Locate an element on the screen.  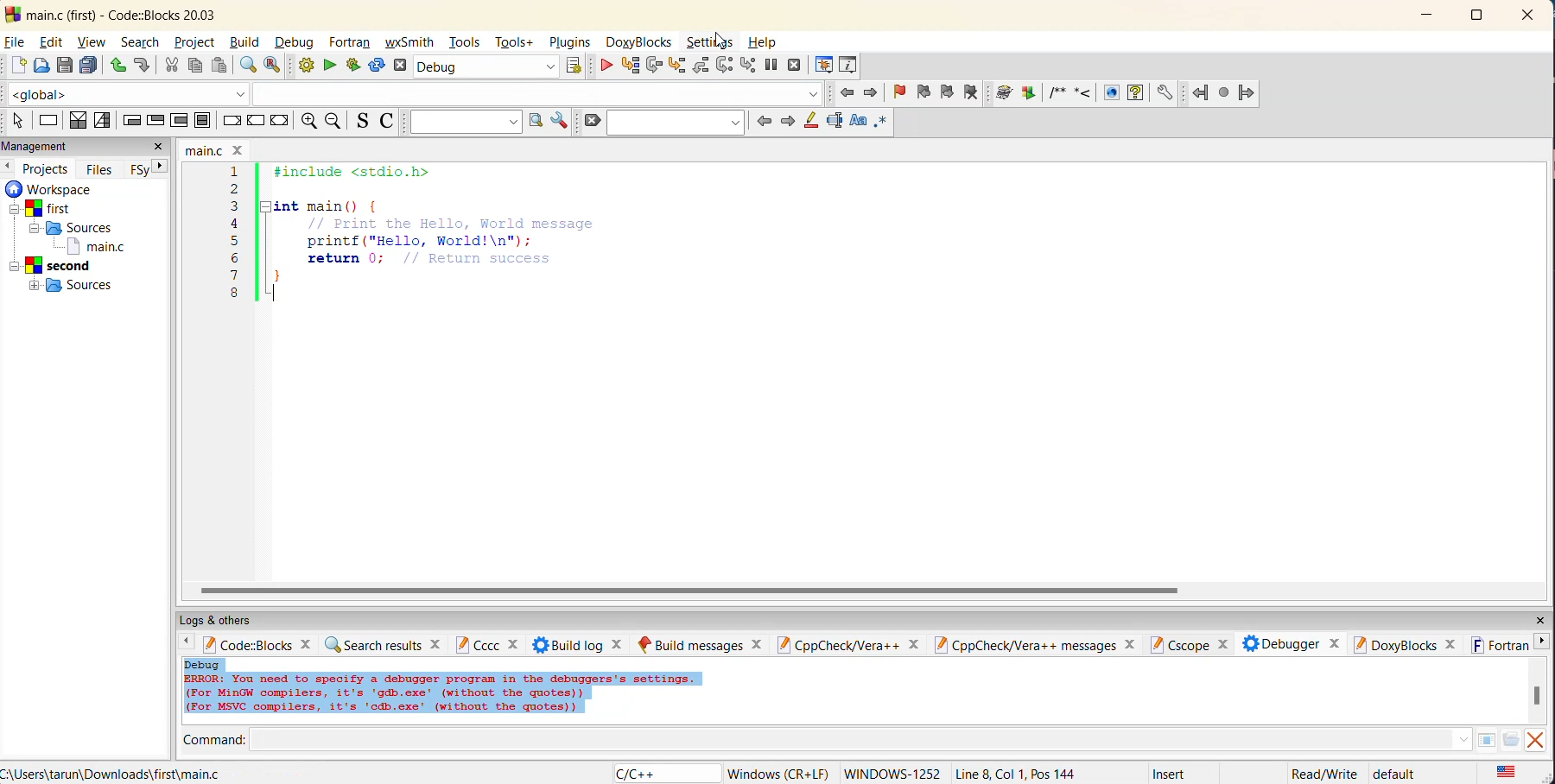
1 #include <stdio.h>2 3 int main() { 4 // Print the Hello, World message 5 printf{"Hello, World!\n"}; 6 return 0; // Return success 7 8  is located at coordinates (435, 243).